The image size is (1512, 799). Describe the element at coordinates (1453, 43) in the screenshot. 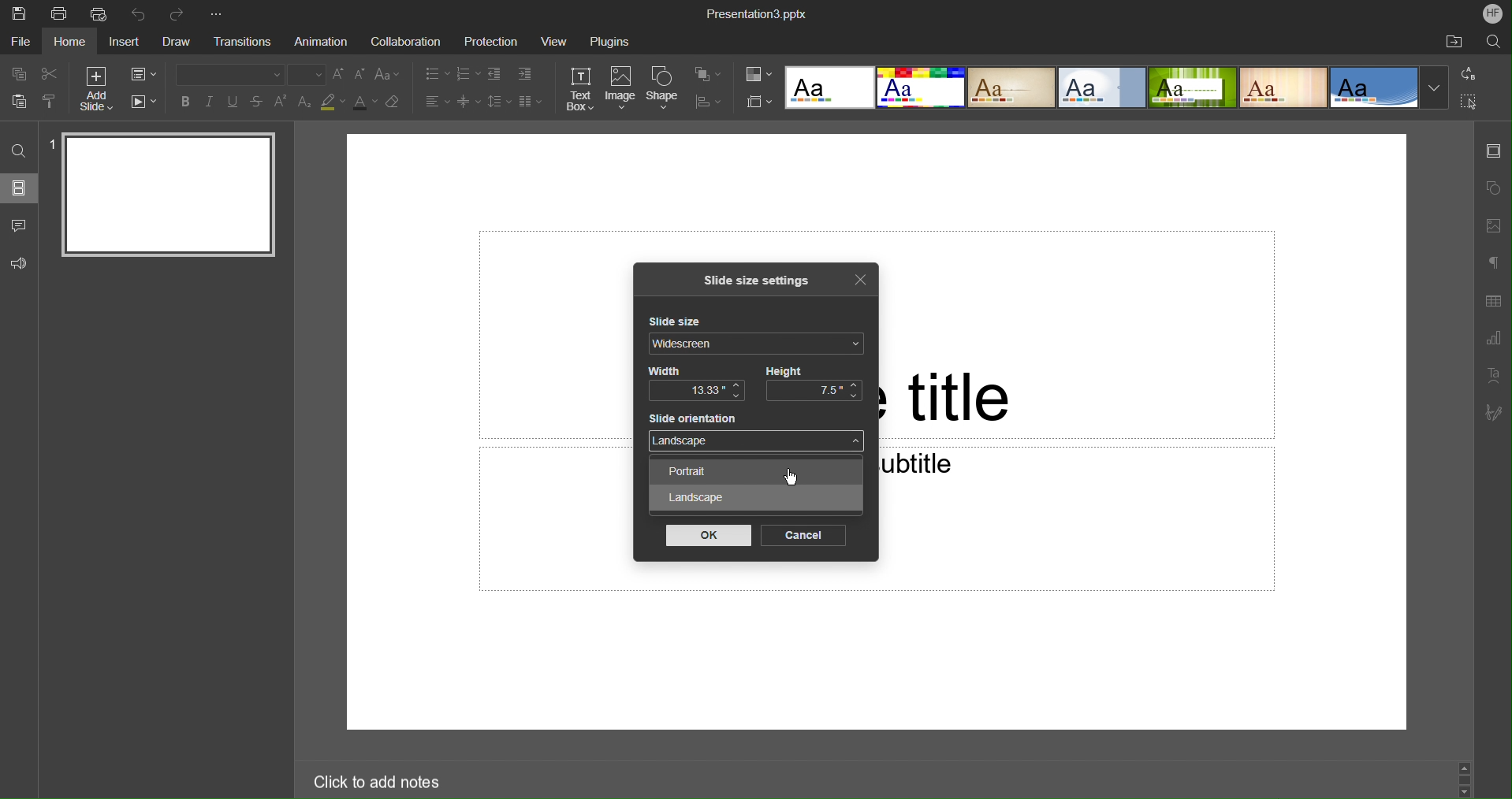

I see `Open File Location` at that location.